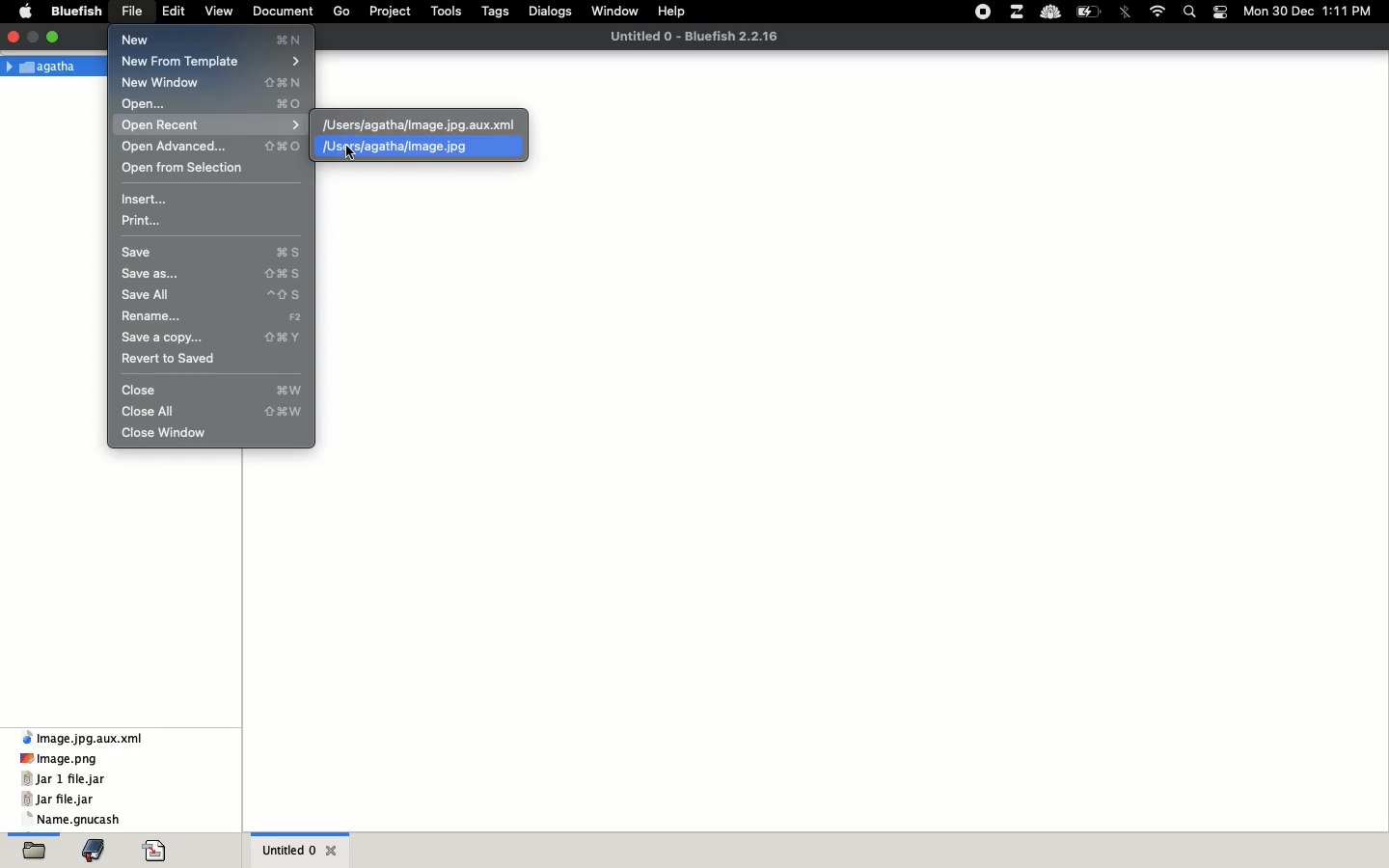  Describe the element at coordinates (60, 758) in the screenshot. I see `image.png` at that location.